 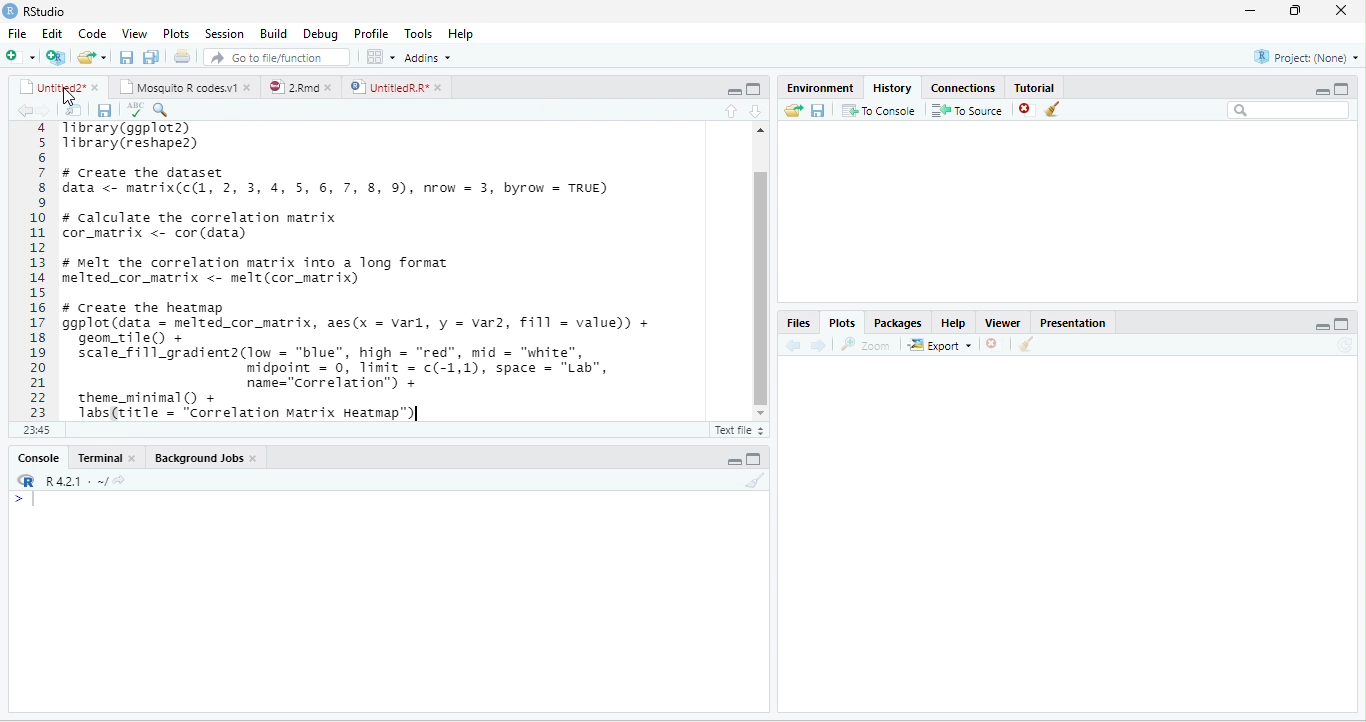 I want to click on previous, so click(x=797, y=345).